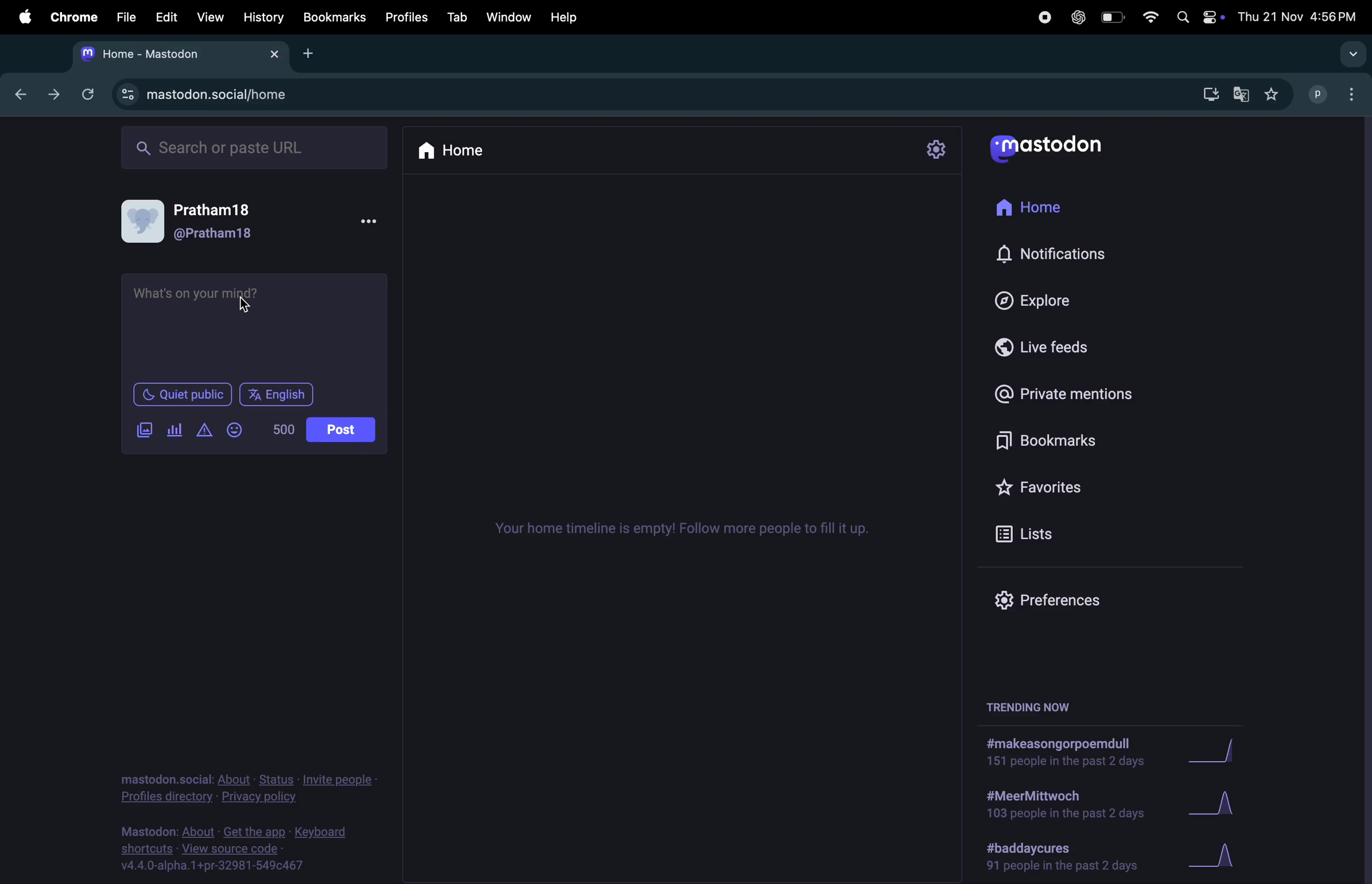  Describe the element at coordinates (1051, 444) in the screenshot. I see `bookmarks` at that location.